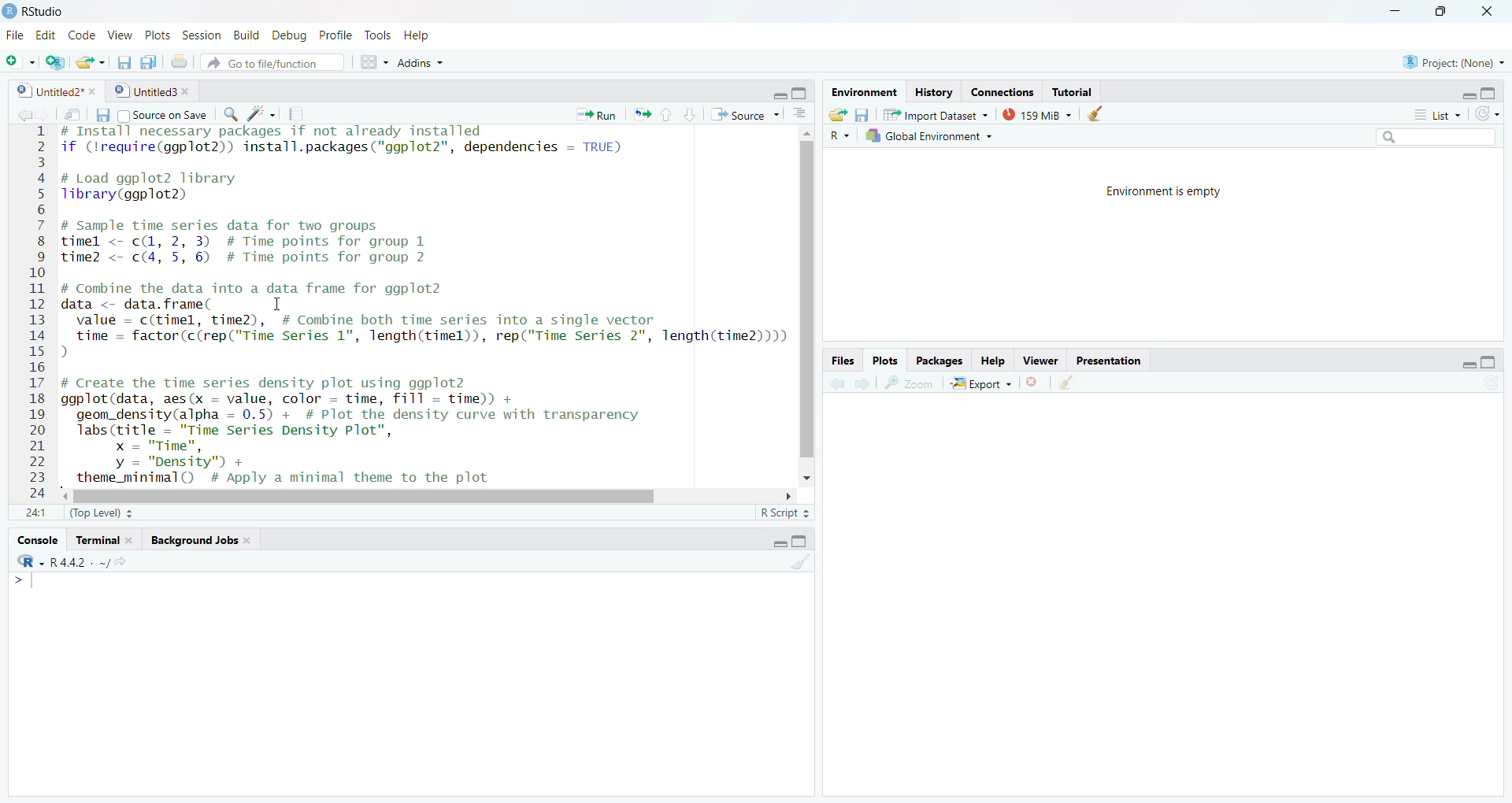 The image size is (1512, 803). What do you see at coordinates (372, 62) in the screenshot?
I see `Workspace panes` at bounding box center [372, 62].